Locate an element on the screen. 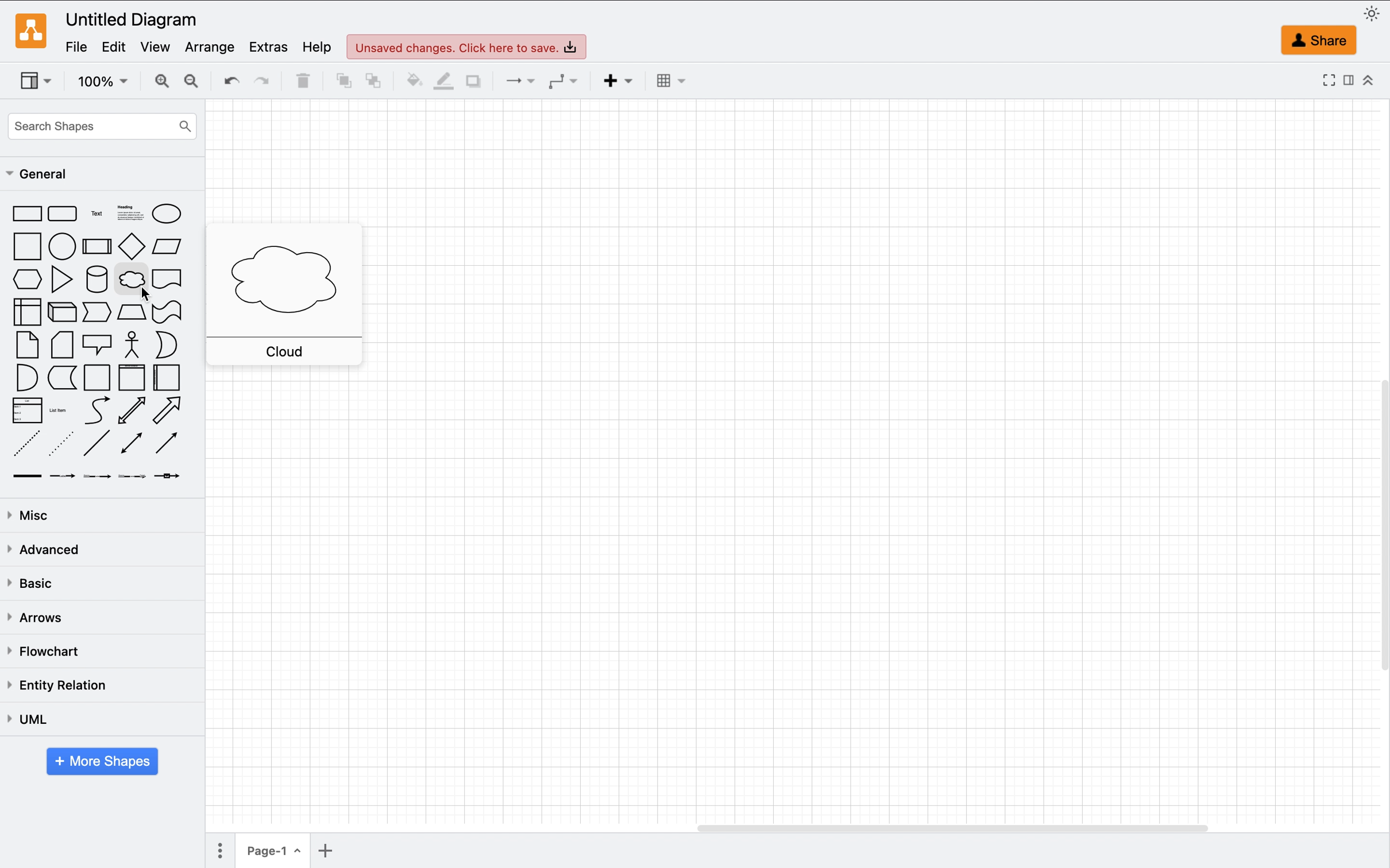 The width and height of the screenshot is (1390, 868). help is located at coordinates (321, 48).